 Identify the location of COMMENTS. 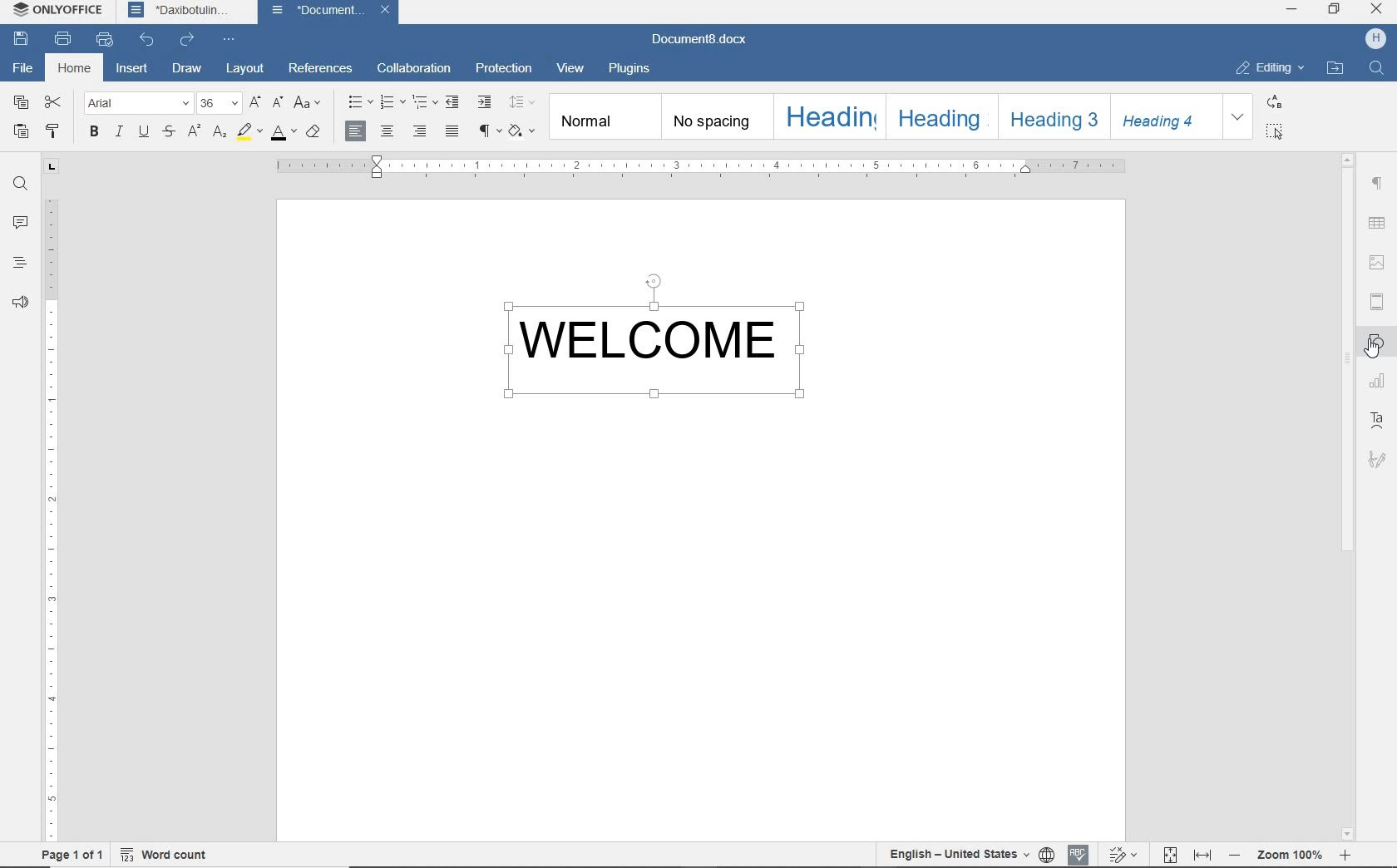
(22, 223).